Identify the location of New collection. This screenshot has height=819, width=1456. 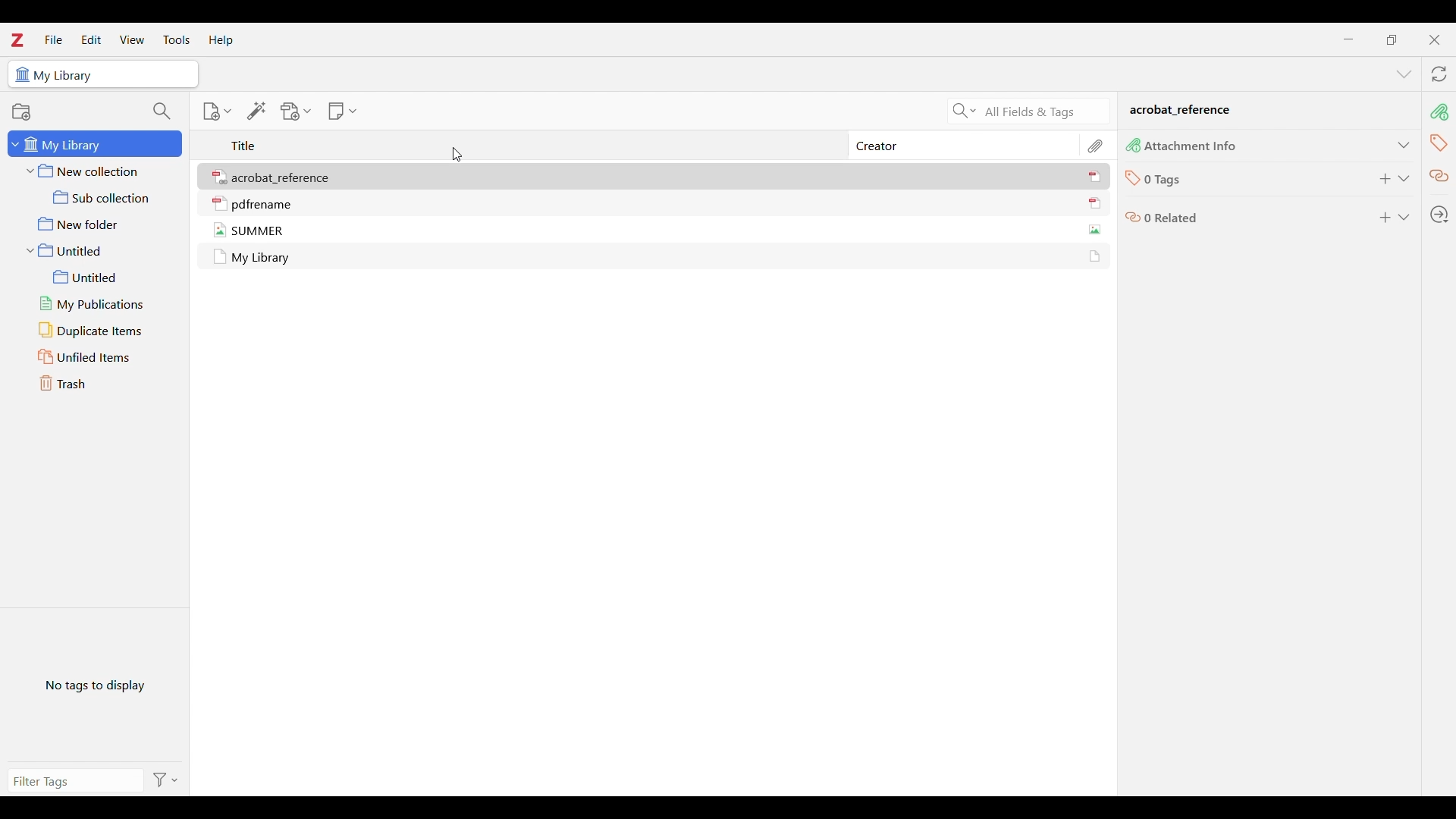
(96, 171).